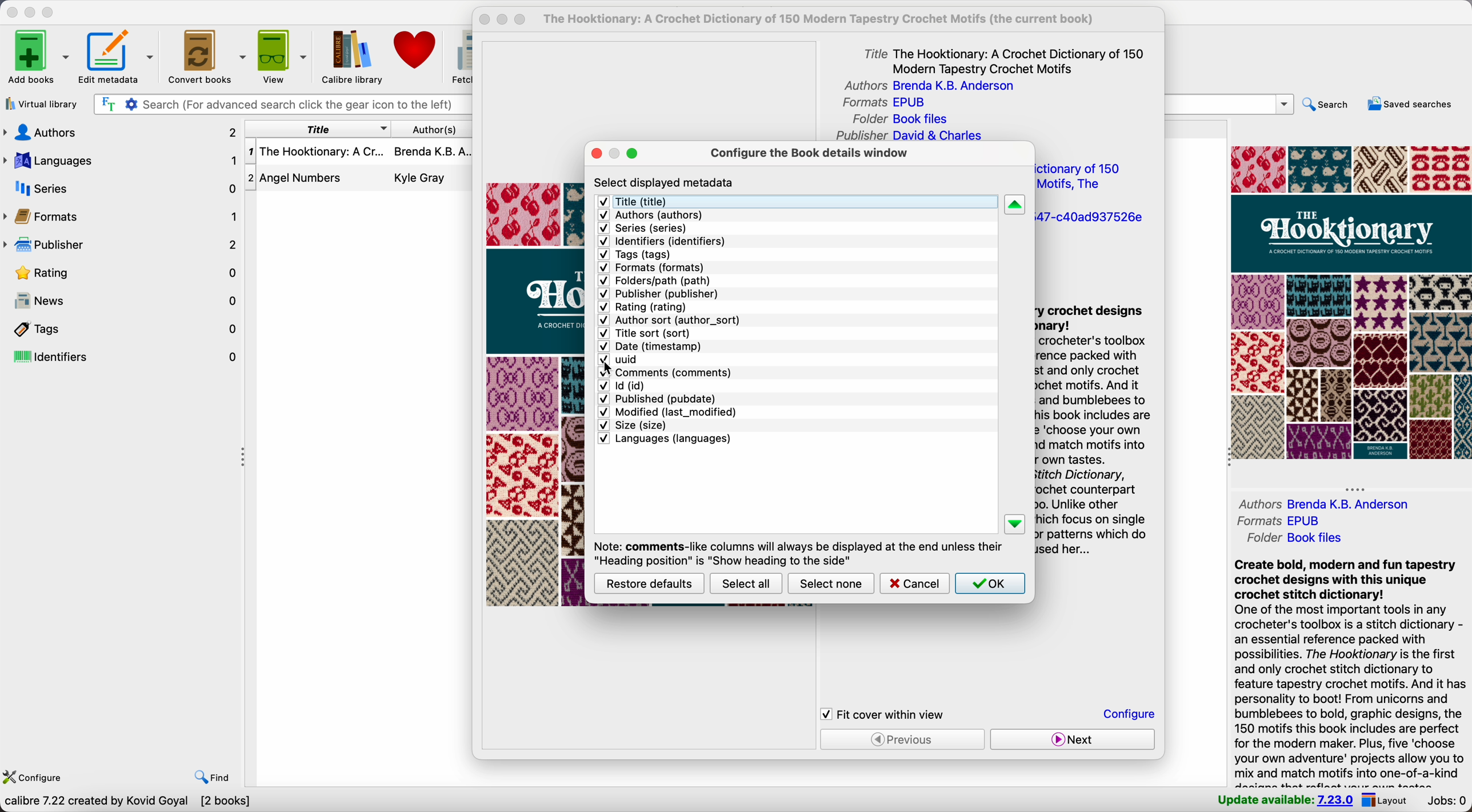 Image resolution: width=1472 pixels, height=812 pixels. What do you see at coordinates (351, 55) in the screenshot?
I see `Calibre library` at bounding box center [351, 55].